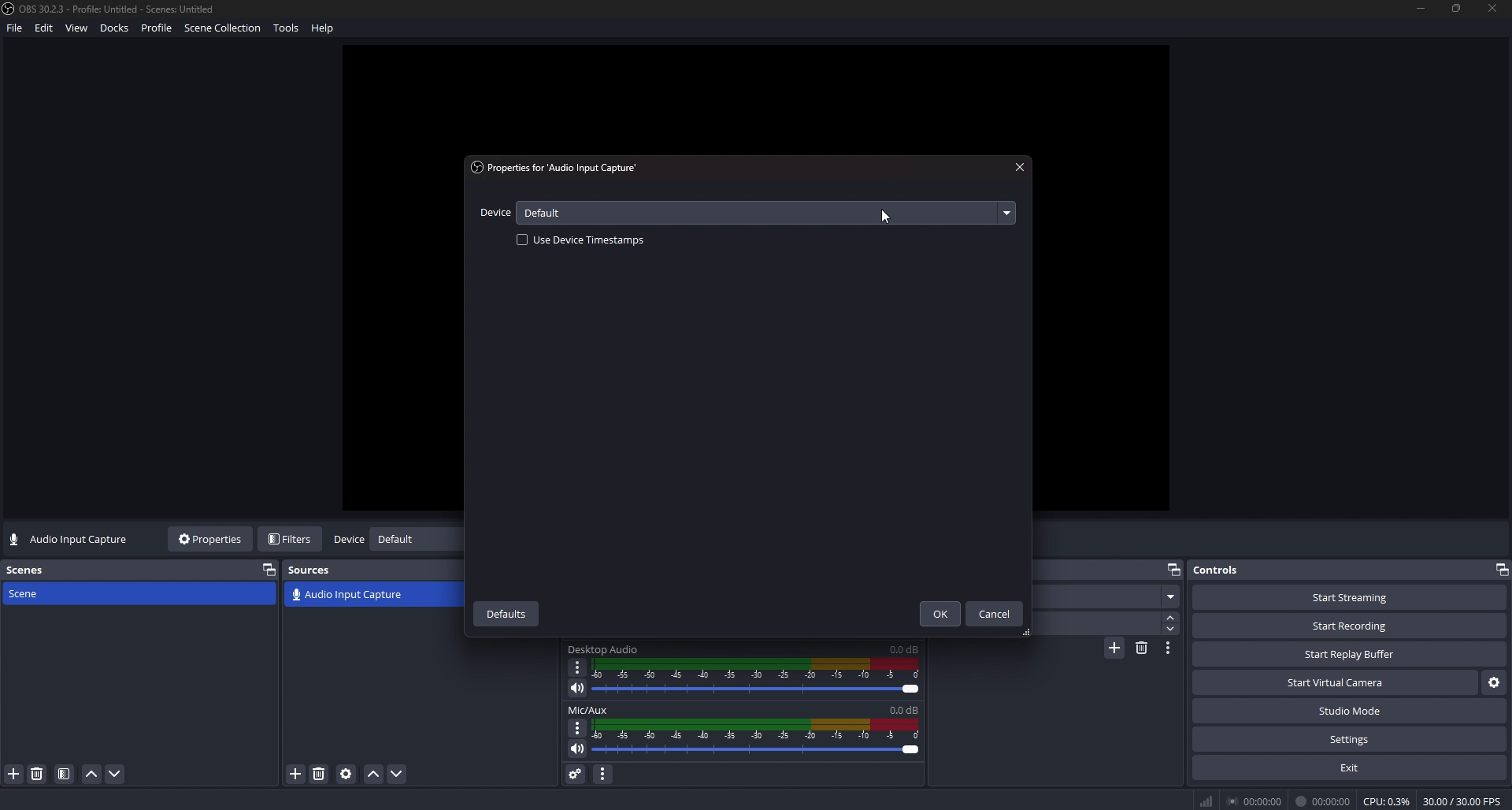 The image size is (1512, 810). I want to click on move scene up, so click(91, 775).